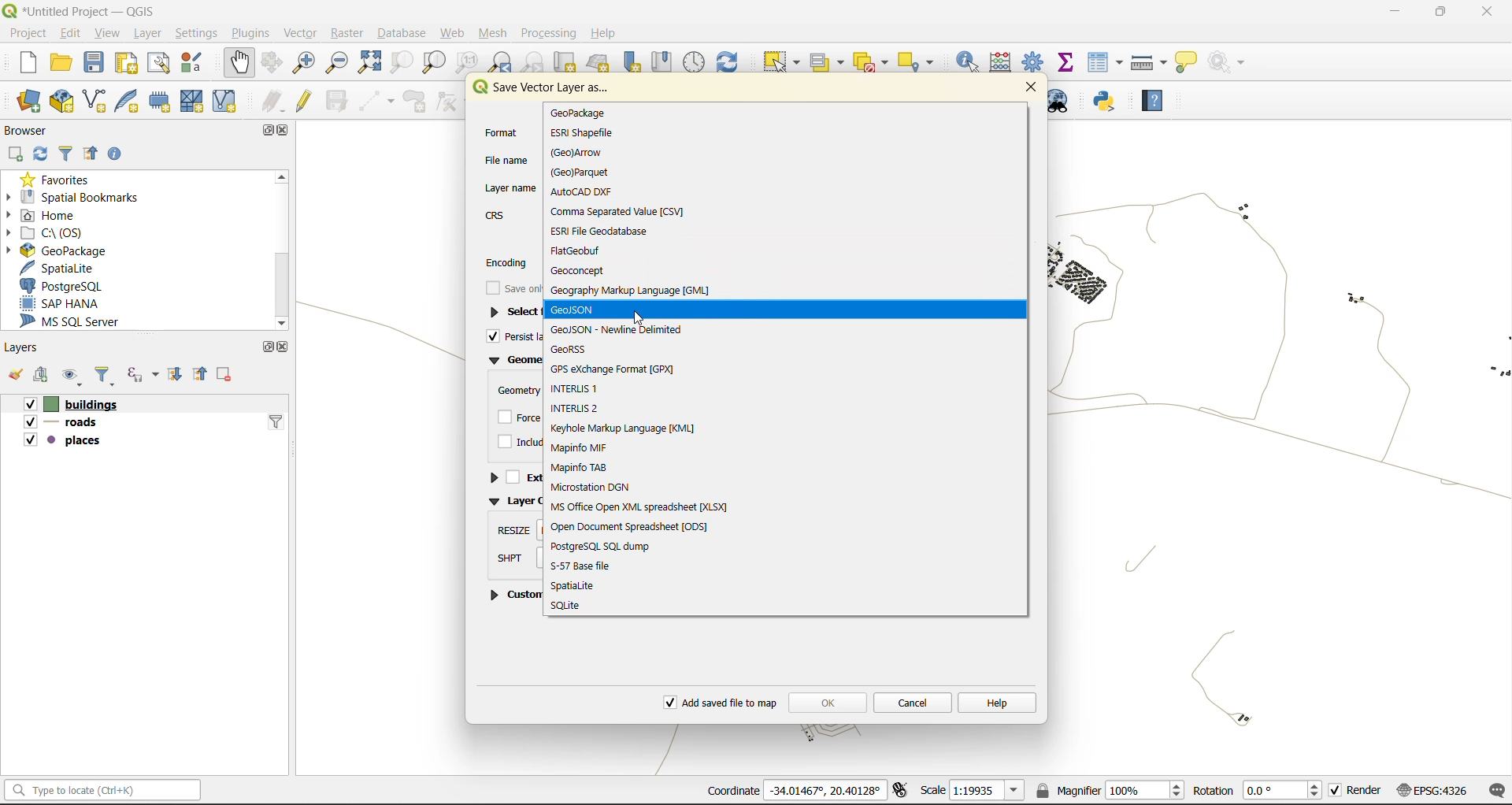 The width and height of the screenshot is (1512, 805). I want to click on plugins, so click(255, 32).